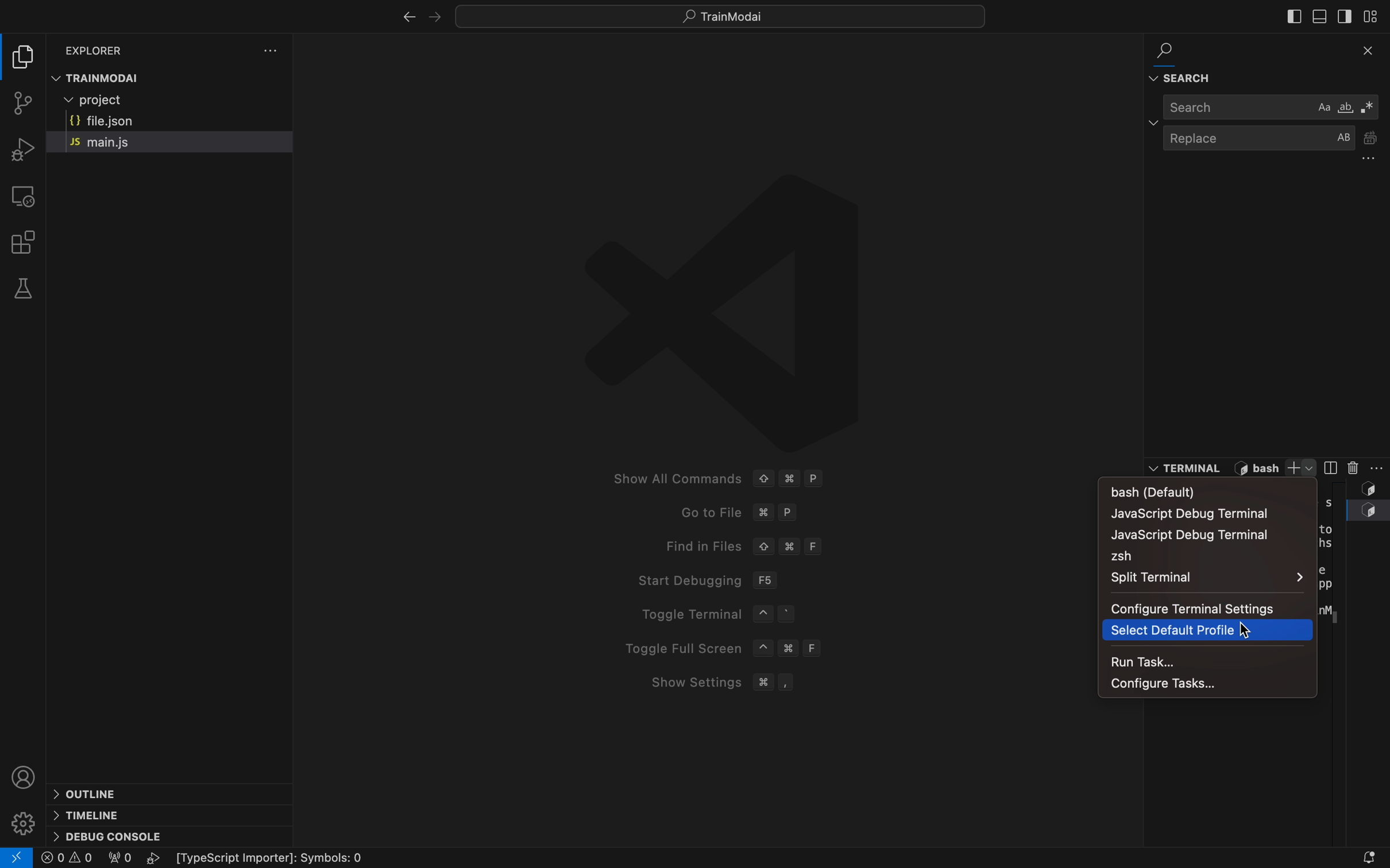 This screenshot has width=1390, height=868. I want to click on arrow left, so click(408, 18).